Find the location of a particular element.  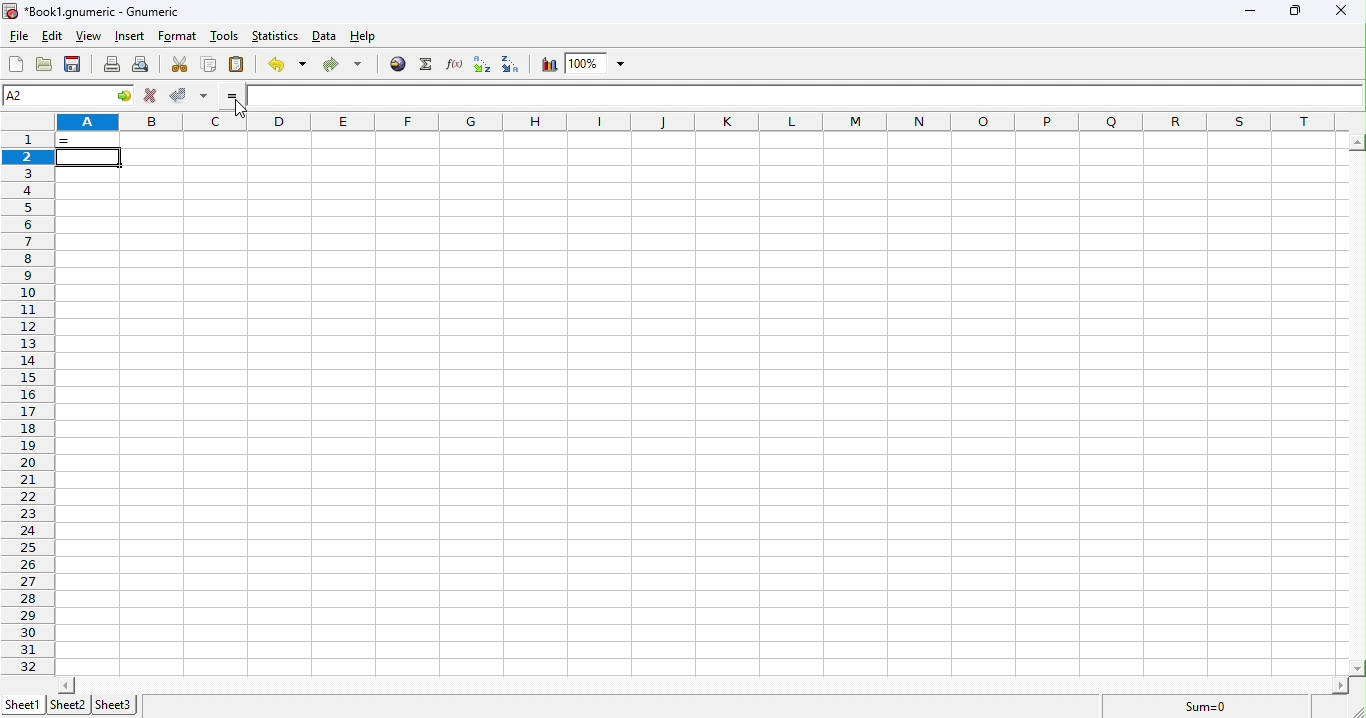

open is located at coordinates (45, 65).